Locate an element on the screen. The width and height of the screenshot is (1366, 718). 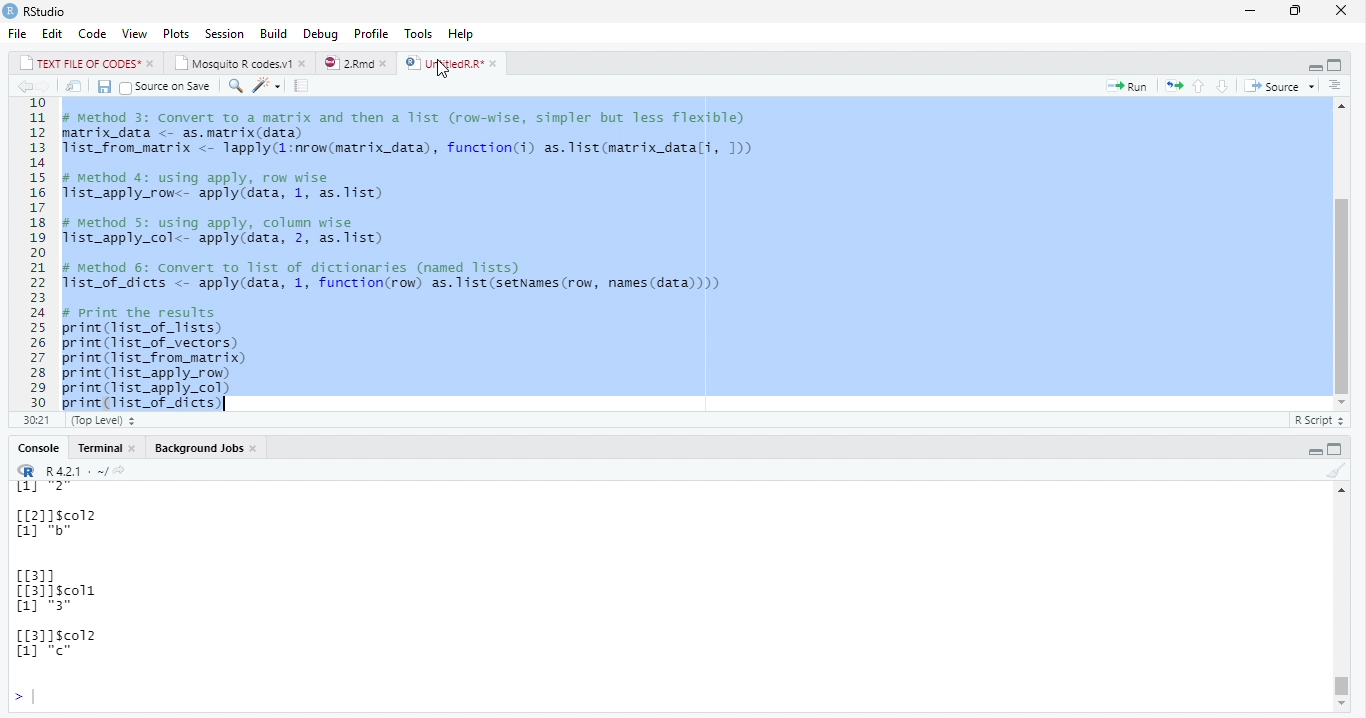
Hide is located at coordinates (1313, 449).